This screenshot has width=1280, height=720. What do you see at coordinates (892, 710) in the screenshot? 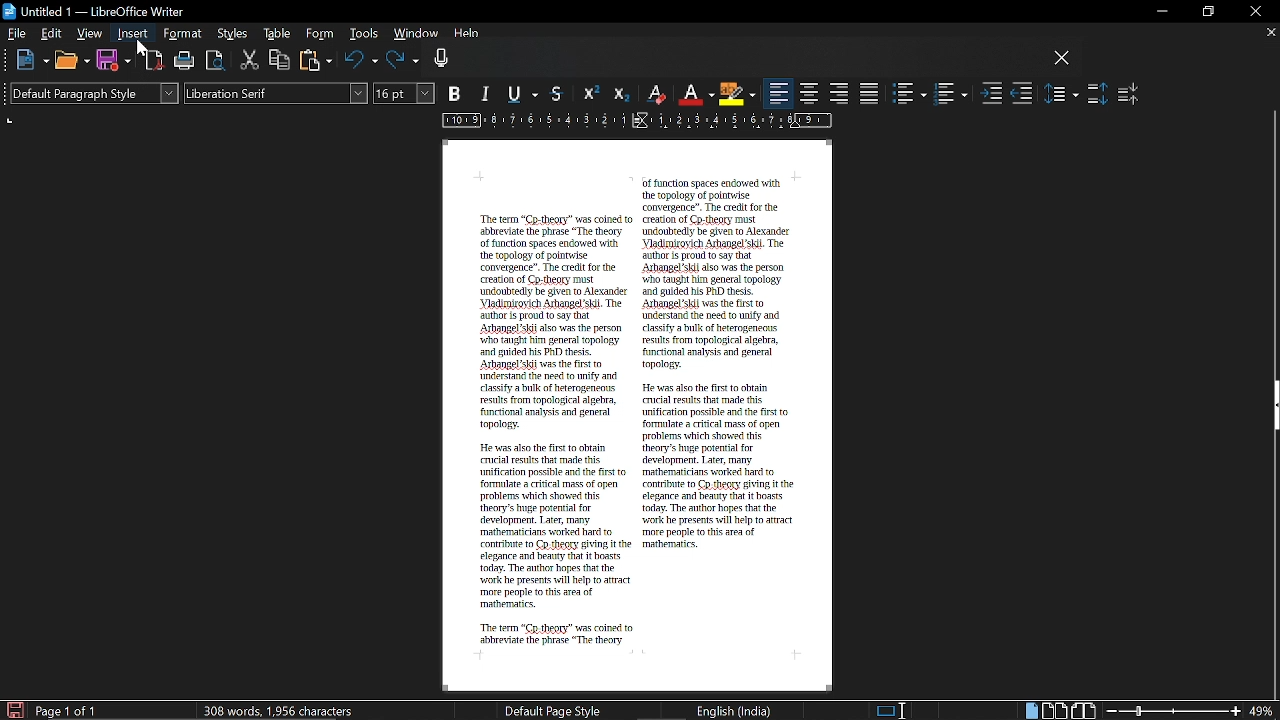
I see `Standard selection` at bounding box center [892, 710].